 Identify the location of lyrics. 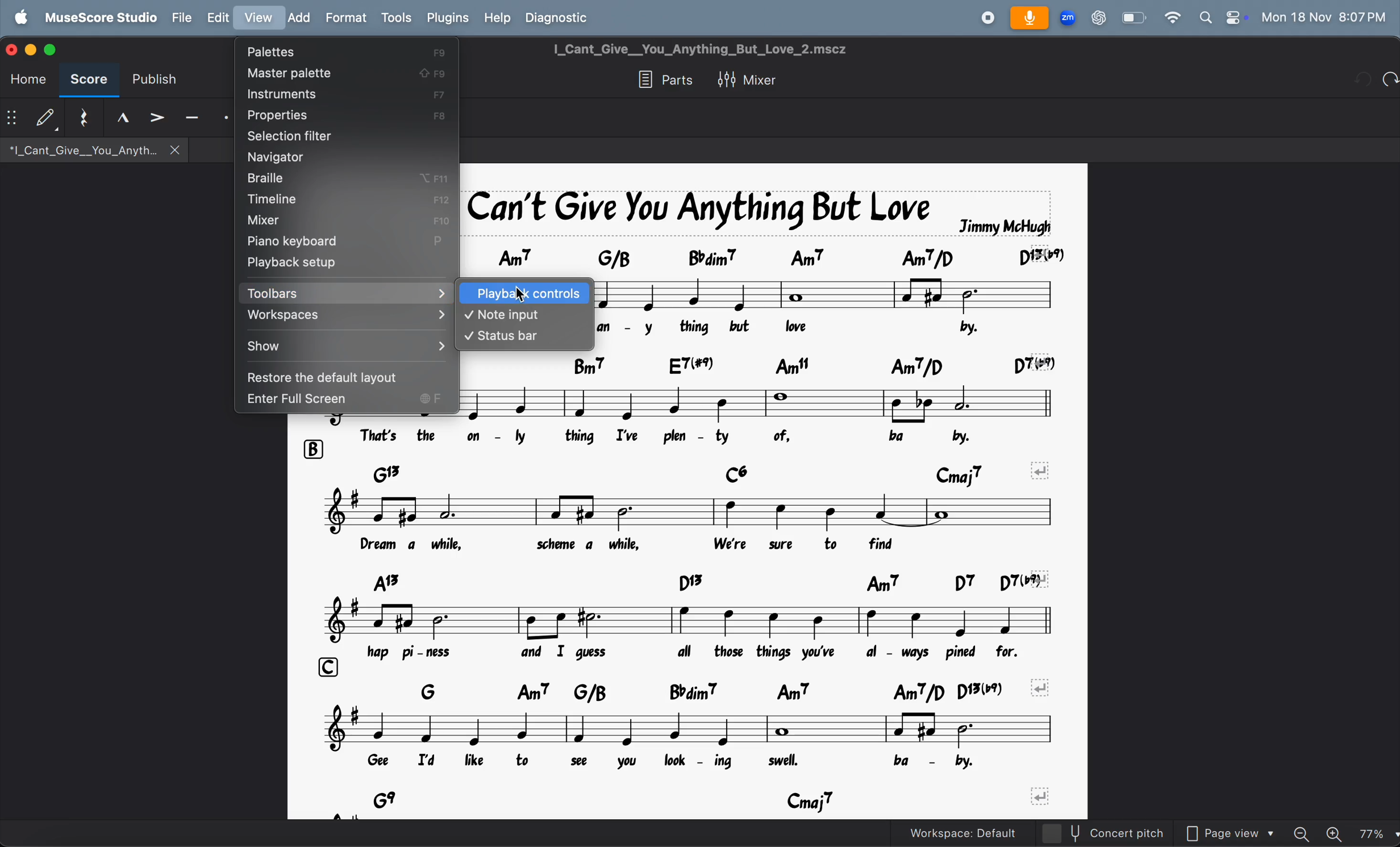
(691, 762).